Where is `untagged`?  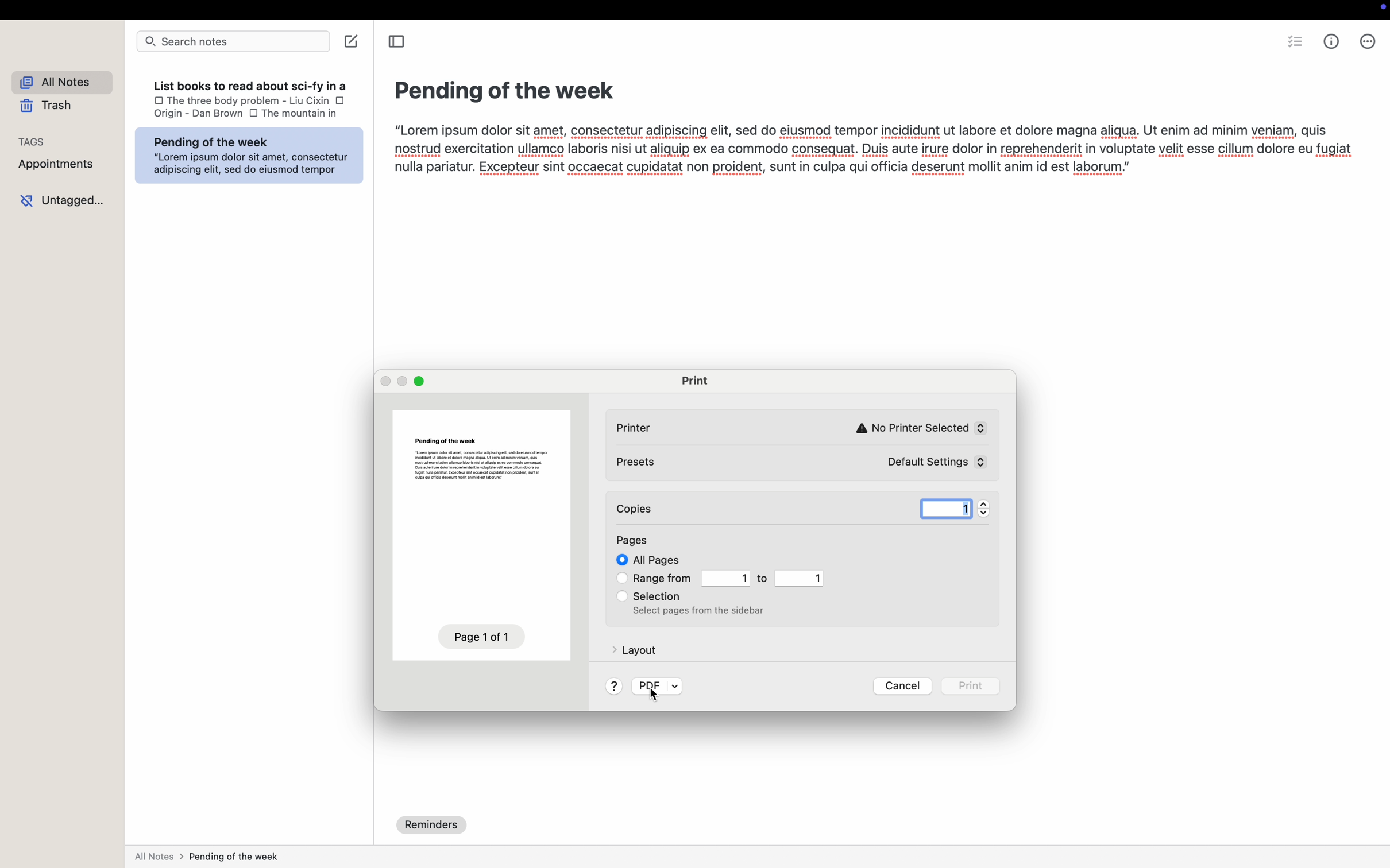
untagged is located at coordinates (64, 201).